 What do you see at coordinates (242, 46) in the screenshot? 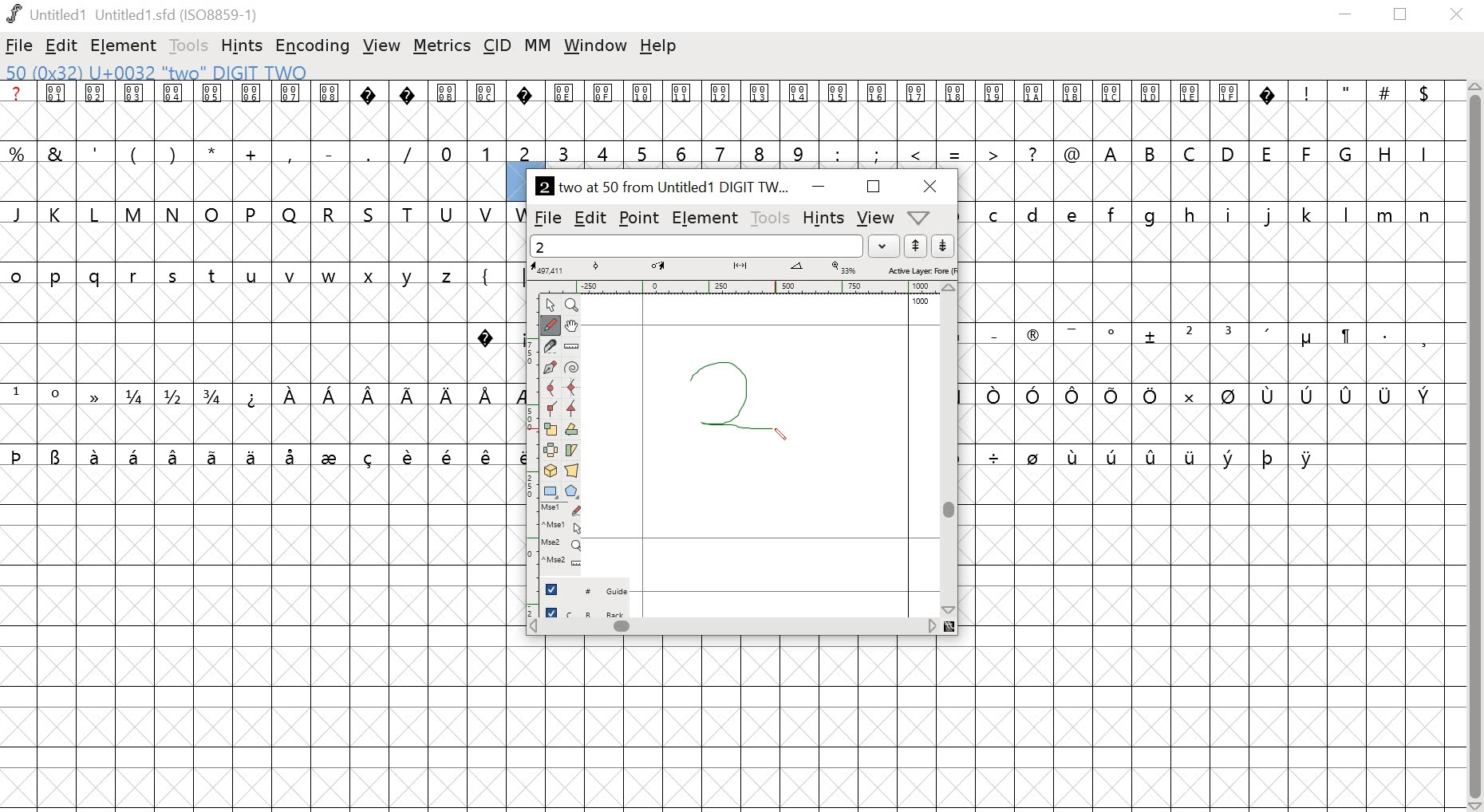
I see `hints` at bounding box center [242, 46].